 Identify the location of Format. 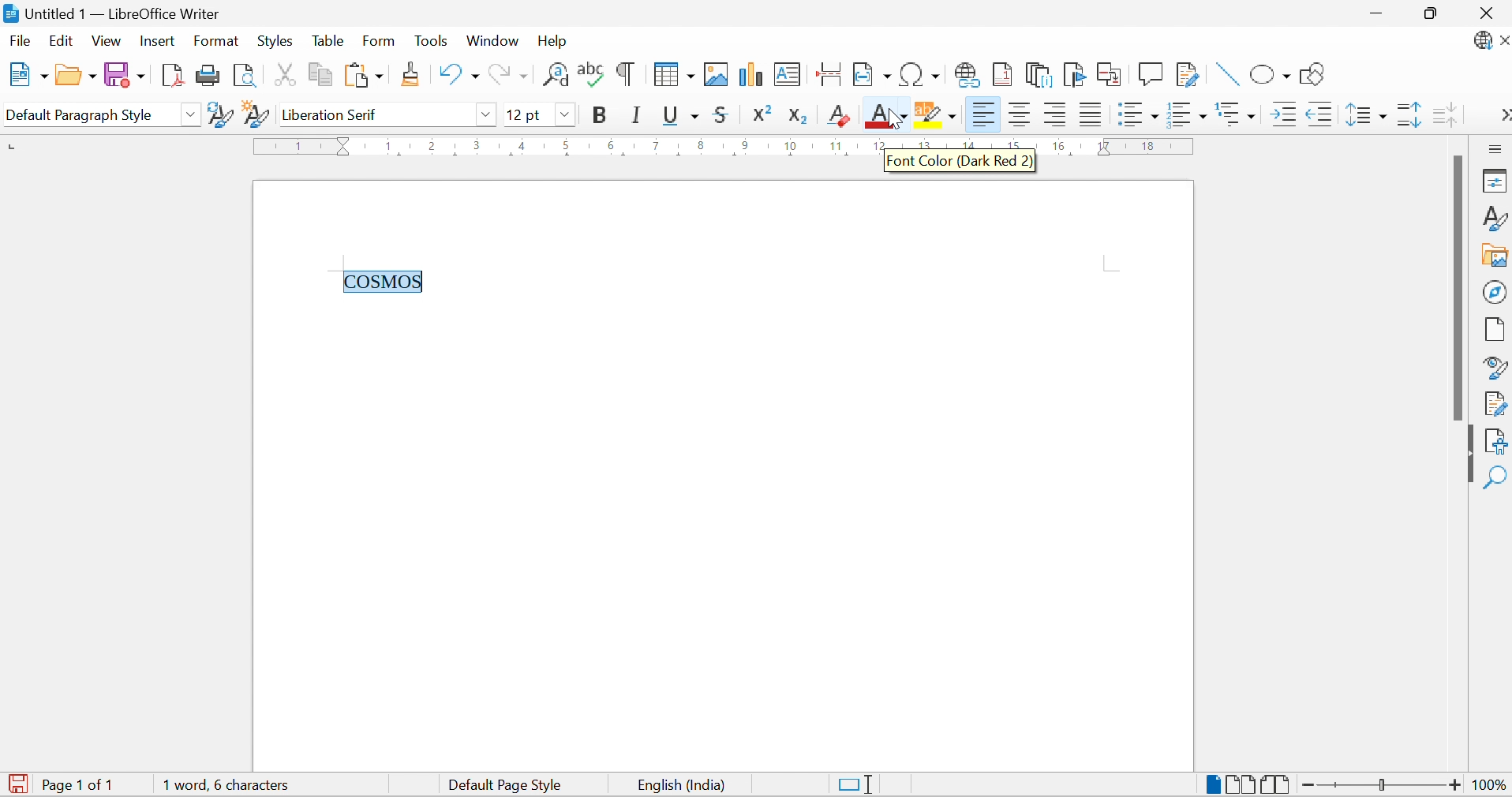
(217, 42).